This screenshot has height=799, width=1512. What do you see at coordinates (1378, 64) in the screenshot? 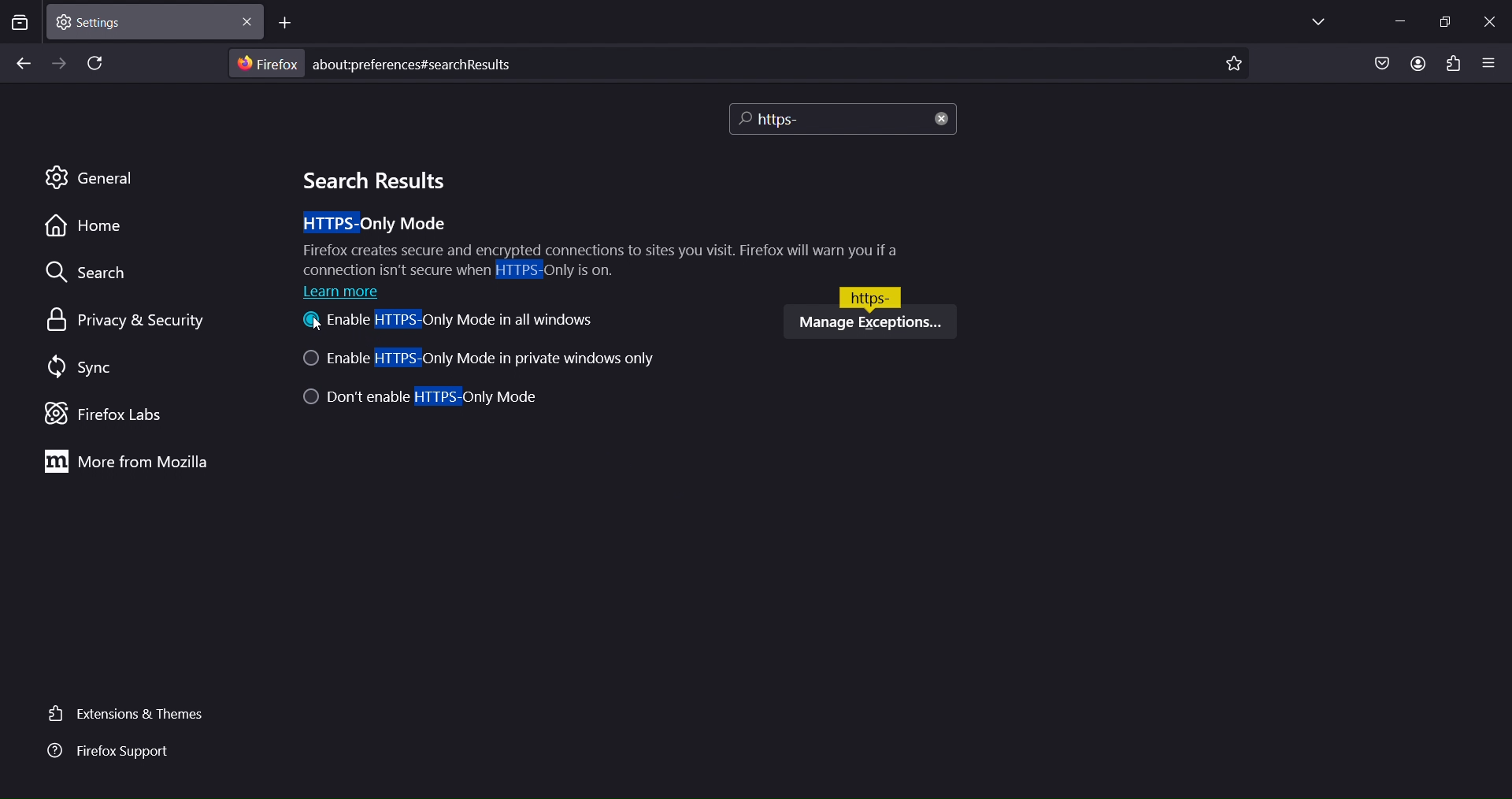
I see `save to pocket` at bounding box center [1378, 64].